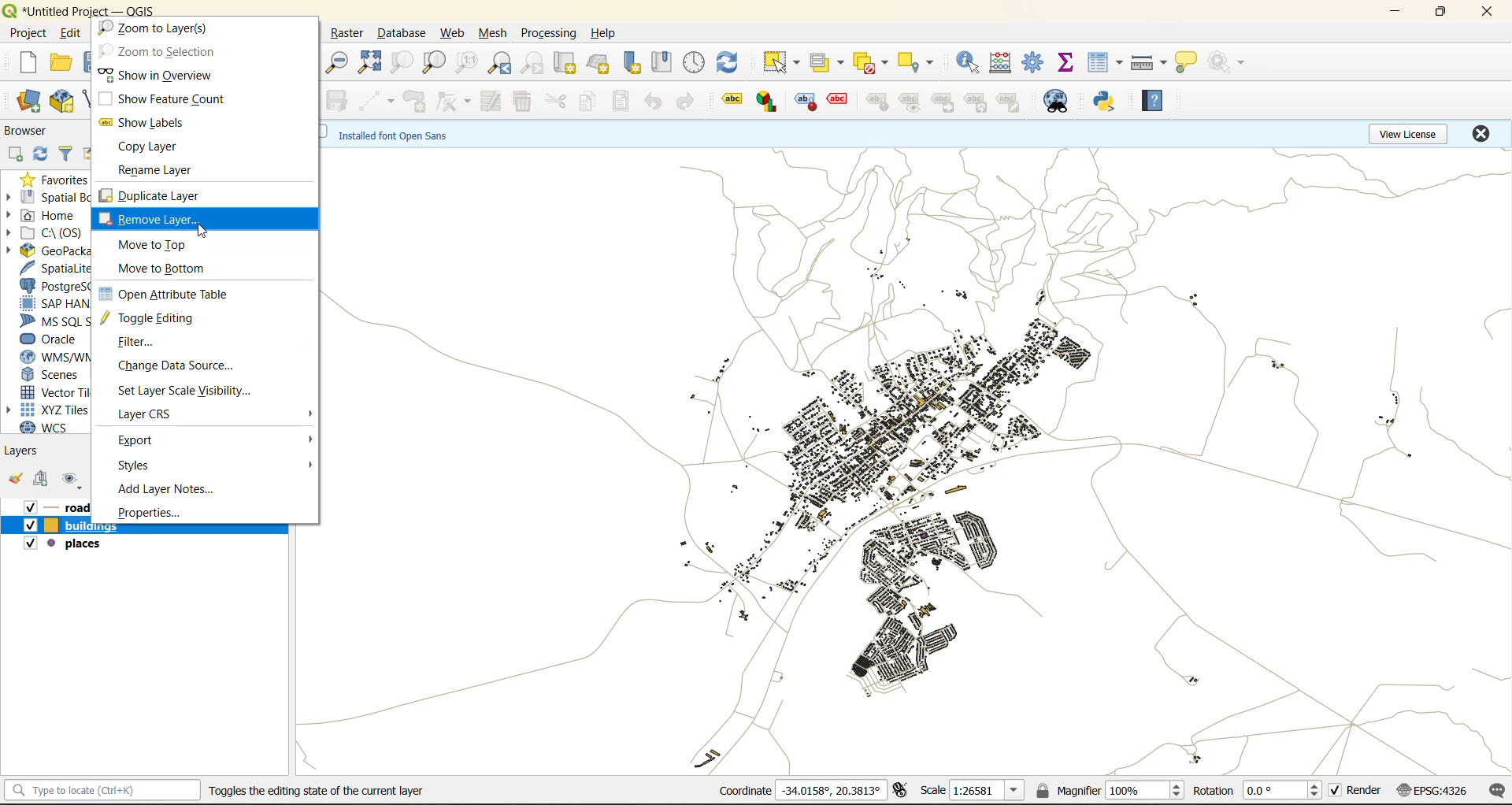 This screenshot has width=1512, height=805. Describe the element at coordinates (71, 32) in the screenshot. I see `edit` at that location.